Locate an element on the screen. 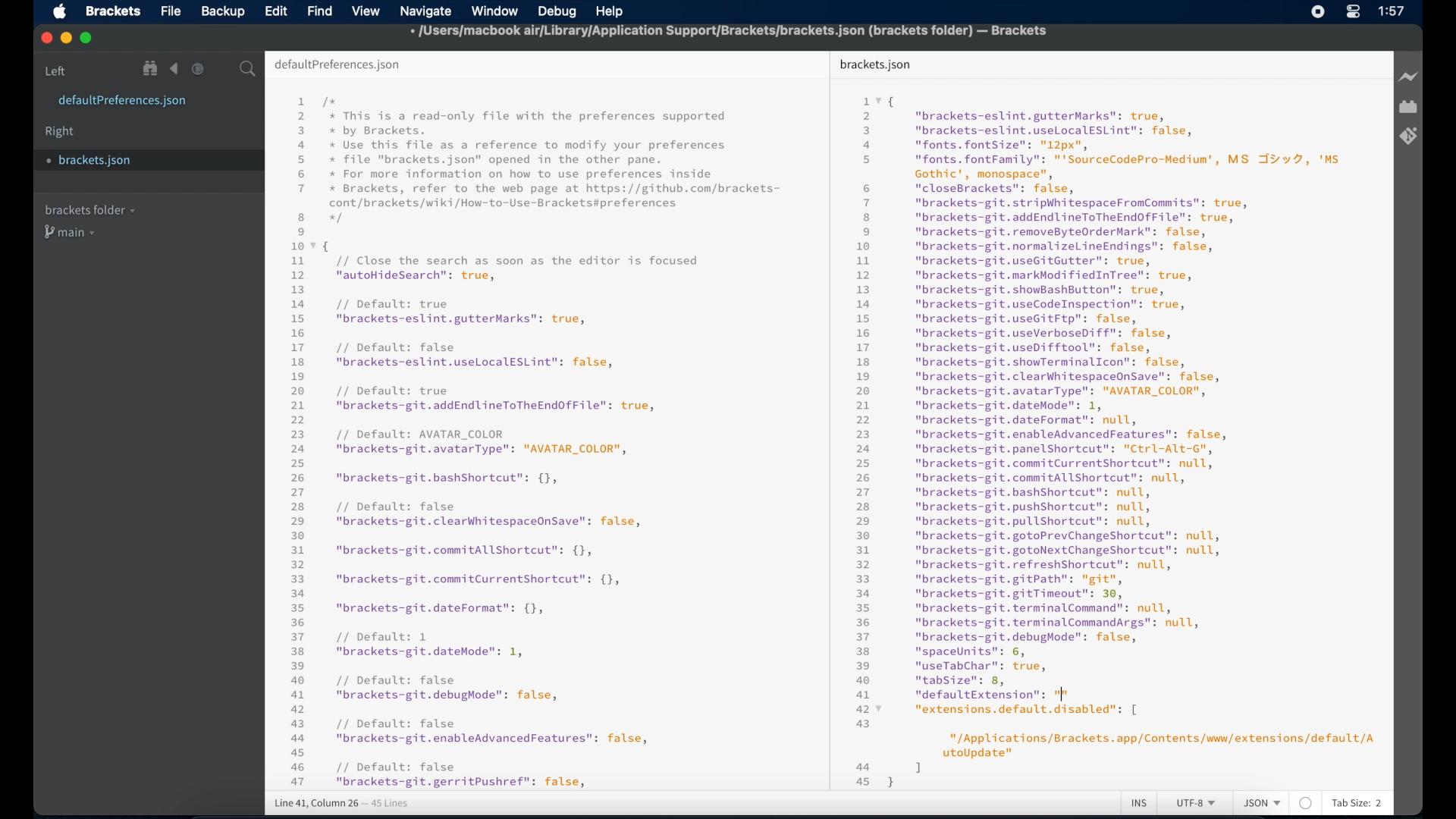 The height and width of the screenshot is (819, 1456). brackets json is located at coordinates (875, 64).